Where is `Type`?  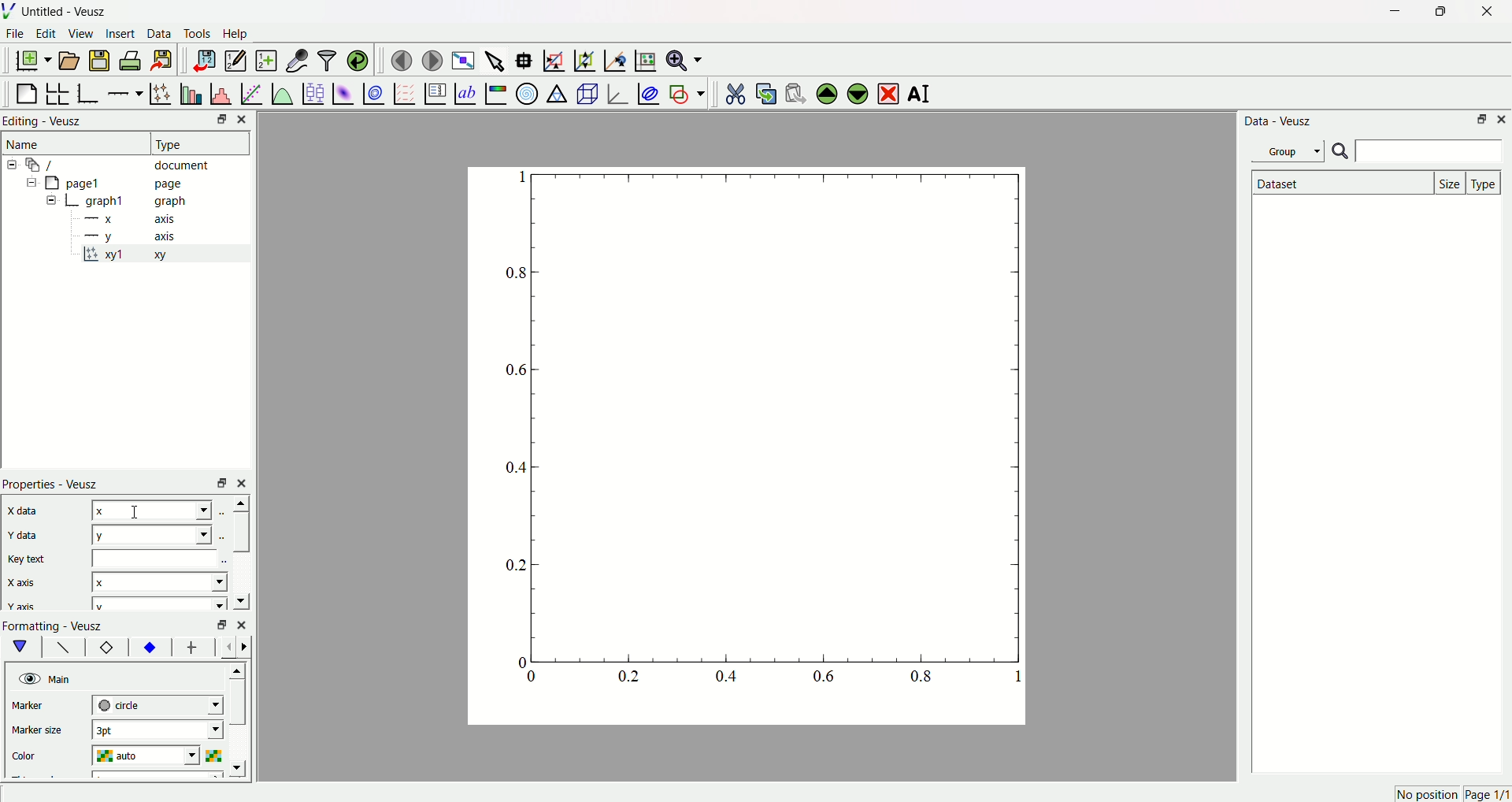 Type is located at coordinates (193, 143).